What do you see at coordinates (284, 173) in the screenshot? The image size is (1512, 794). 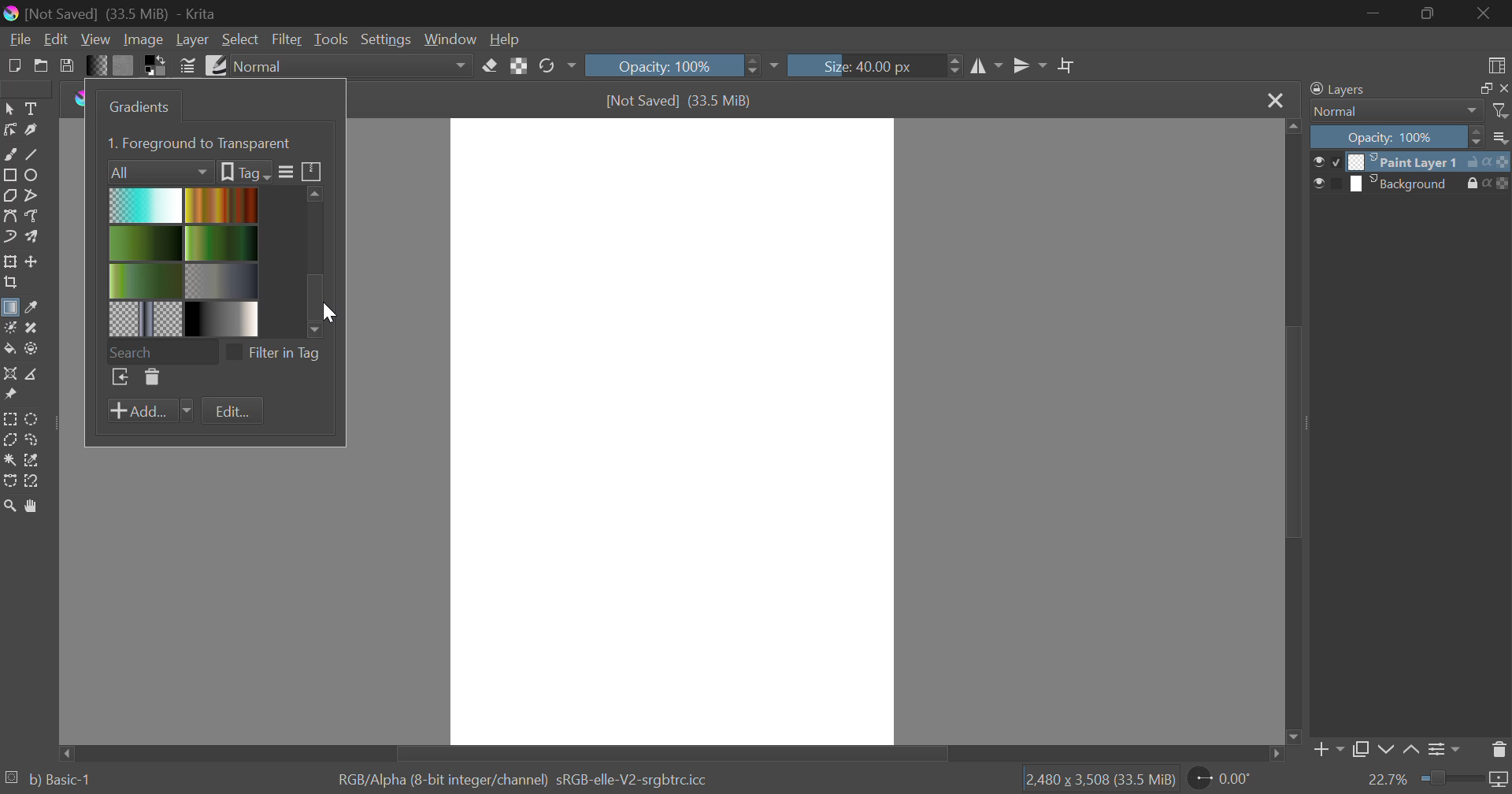 I see `Filter Menu` at bounding box center [284, 173].